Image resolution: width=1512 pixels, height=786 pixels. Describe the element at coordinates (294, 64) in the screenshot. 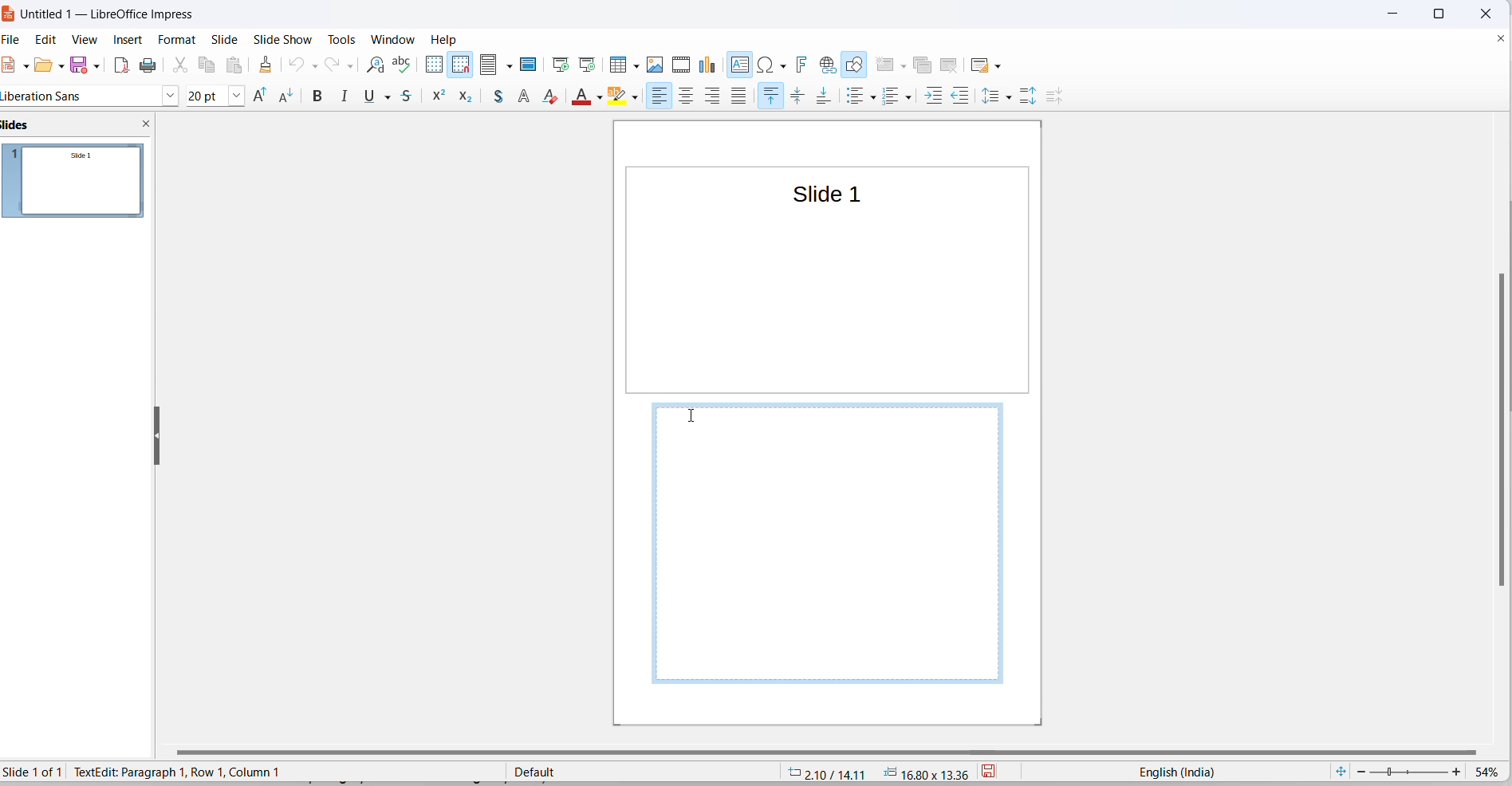

I see `undo` at that location.